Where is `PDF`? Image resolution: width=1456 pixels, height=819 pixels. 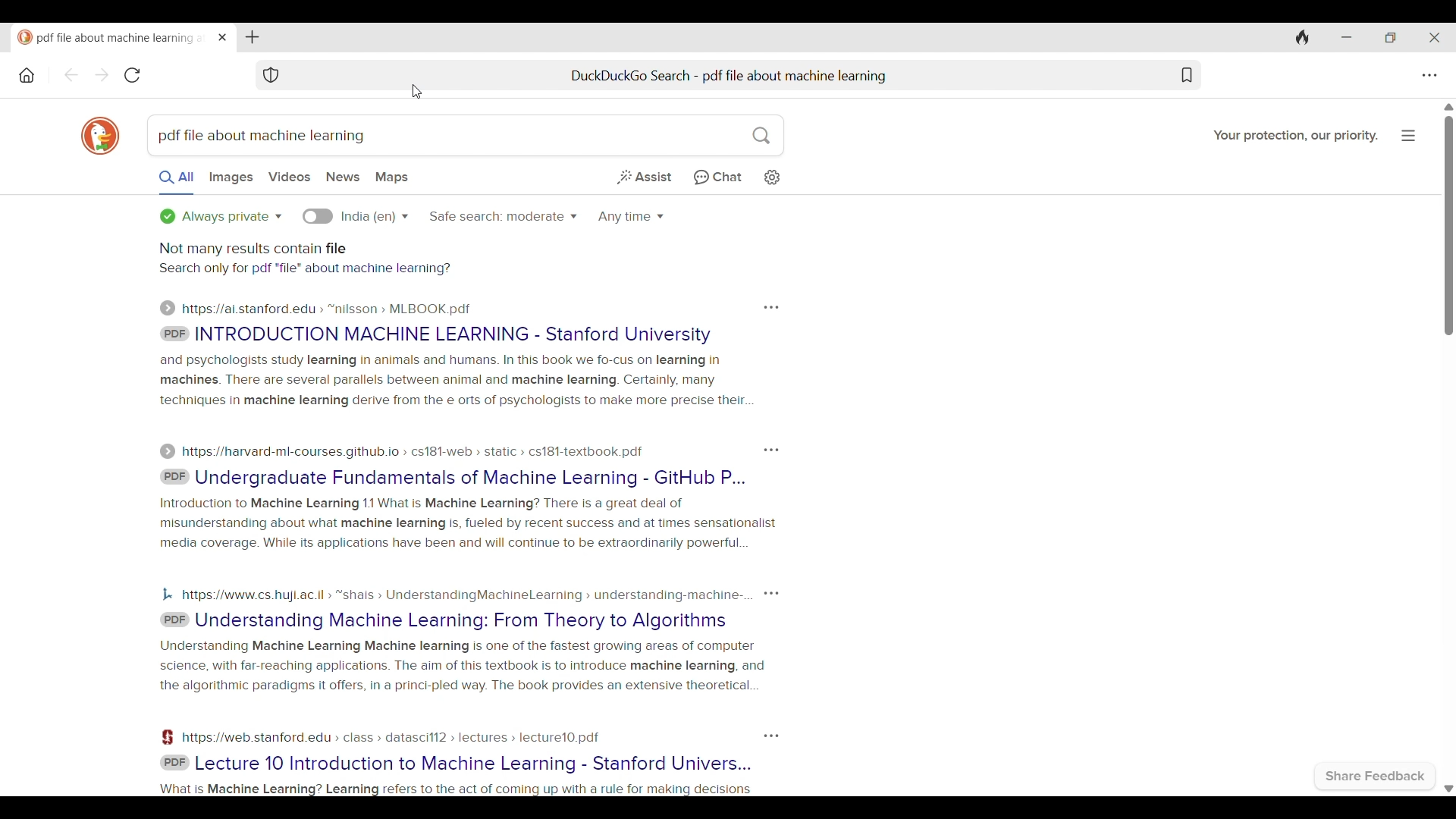 PDF is located at coordinates (175, 763).